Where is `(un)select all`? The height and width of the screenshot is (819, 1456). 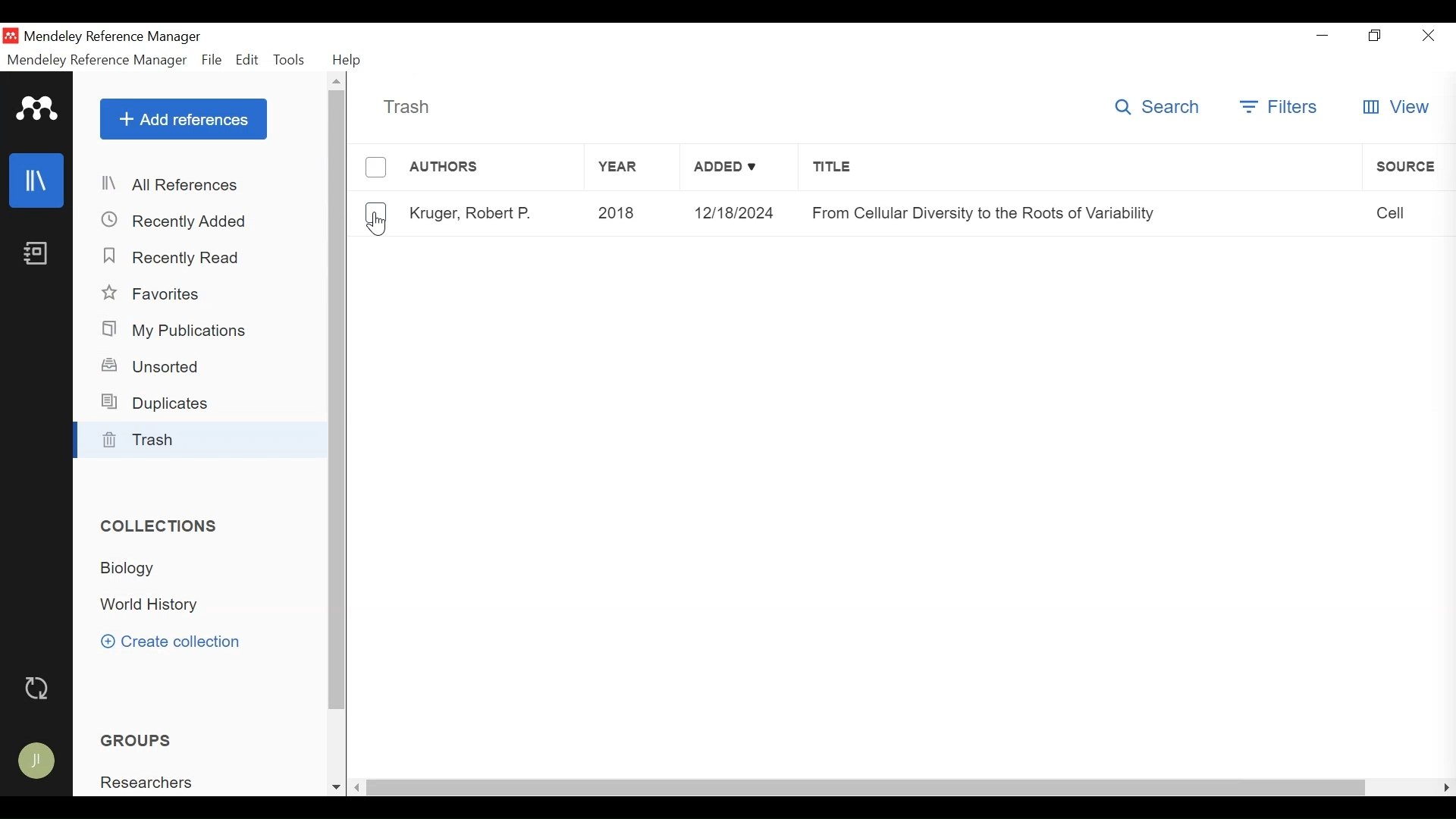
(un)select all is located at coordinates (376, 168).